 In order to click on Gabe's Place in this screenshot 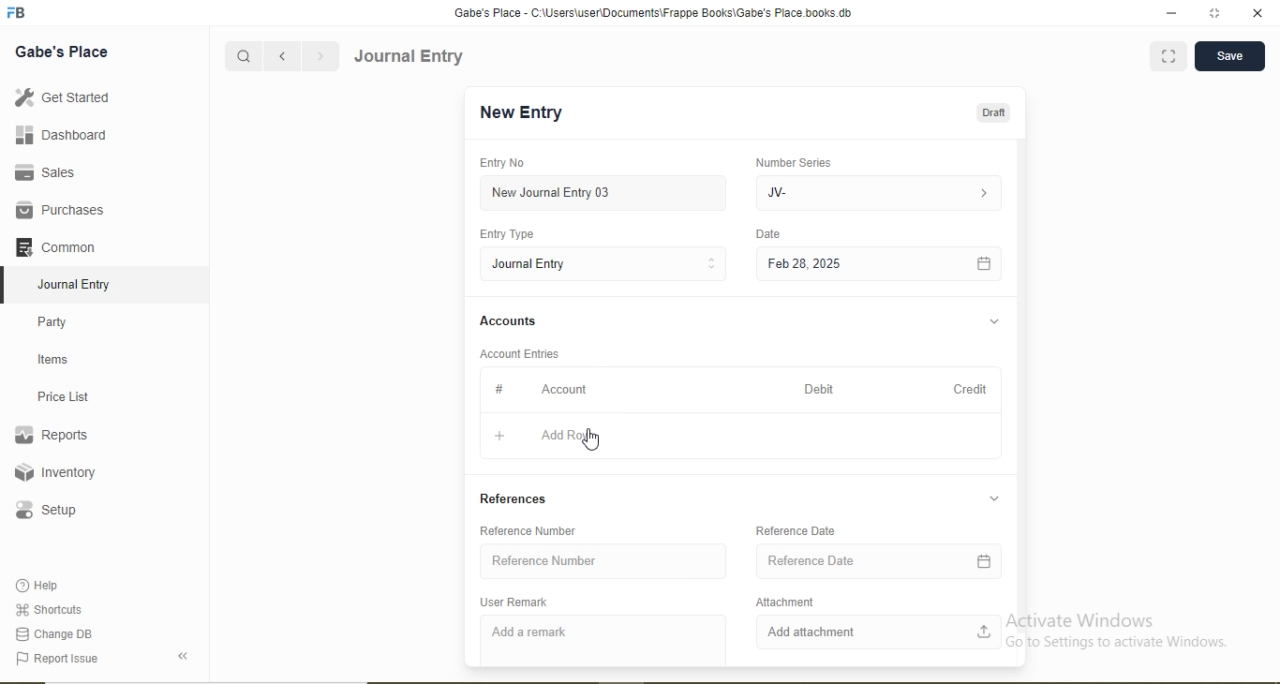, I will do `click(62, 52)`.